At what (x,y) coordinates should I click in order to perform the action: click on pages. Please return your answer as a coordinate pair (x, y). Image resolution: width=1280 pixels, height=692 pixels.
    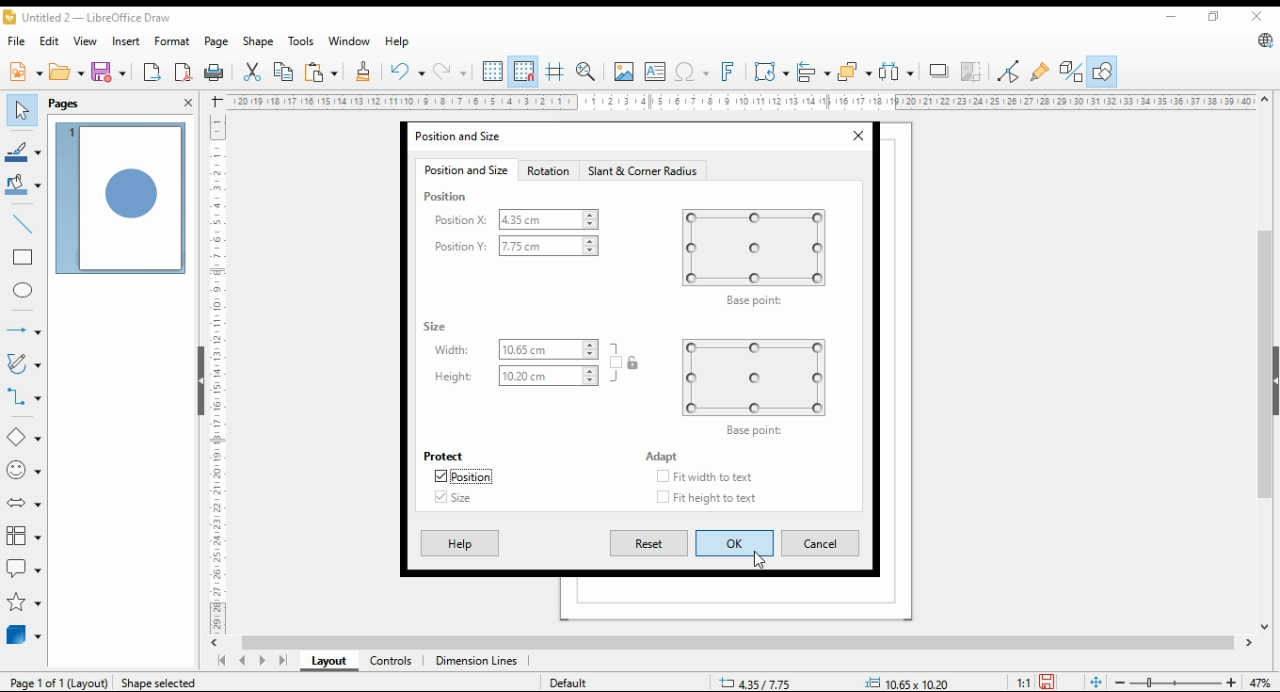
    Looking at the image, I should click on (64, 105).